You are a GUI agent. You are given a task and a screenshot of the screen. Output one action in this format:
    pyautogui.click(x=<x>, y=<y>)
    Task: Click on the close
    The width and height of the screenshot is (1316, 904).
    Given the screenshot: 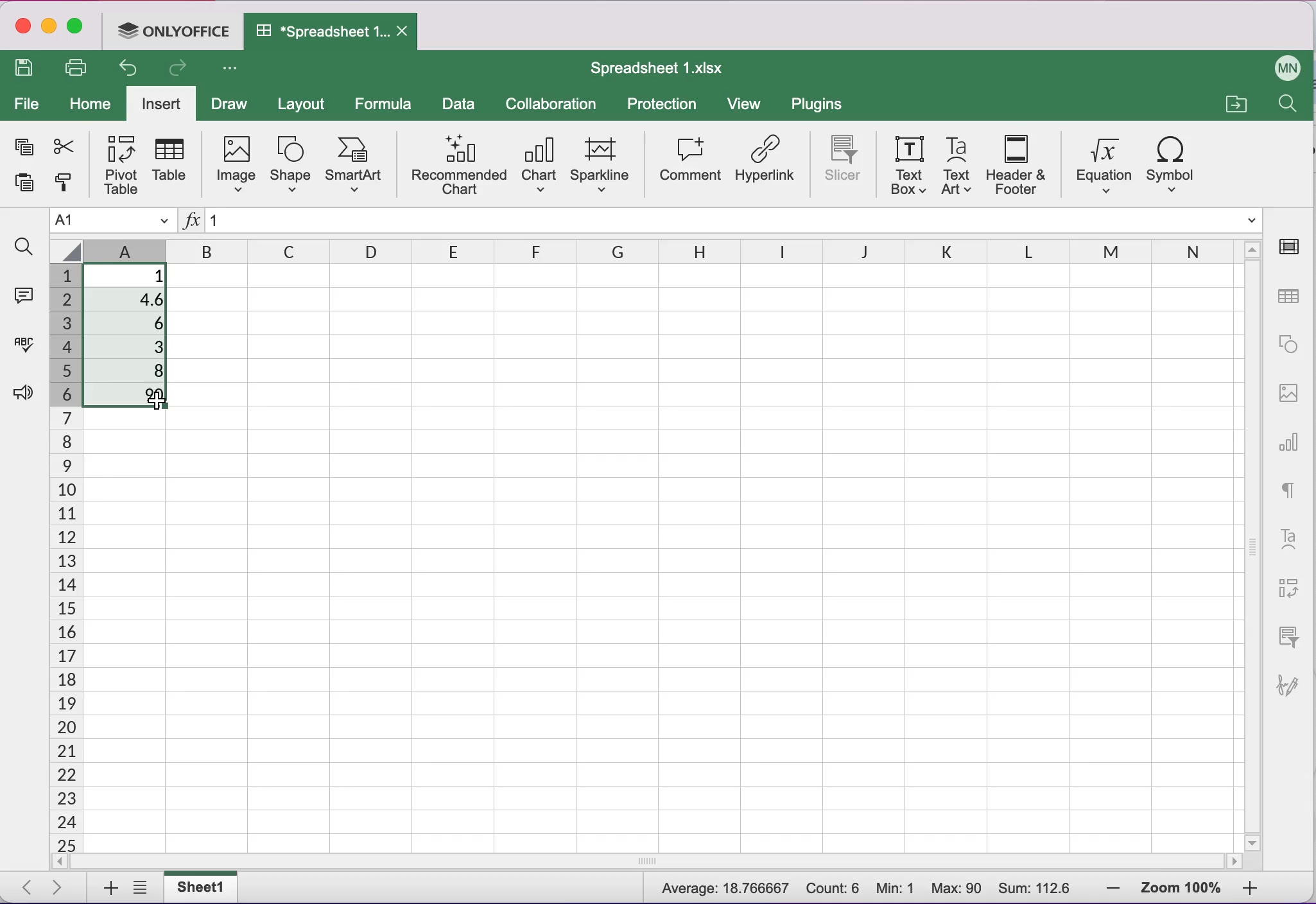 What is the action you would take?
    pyautogui.click(x=22, y=31)
    